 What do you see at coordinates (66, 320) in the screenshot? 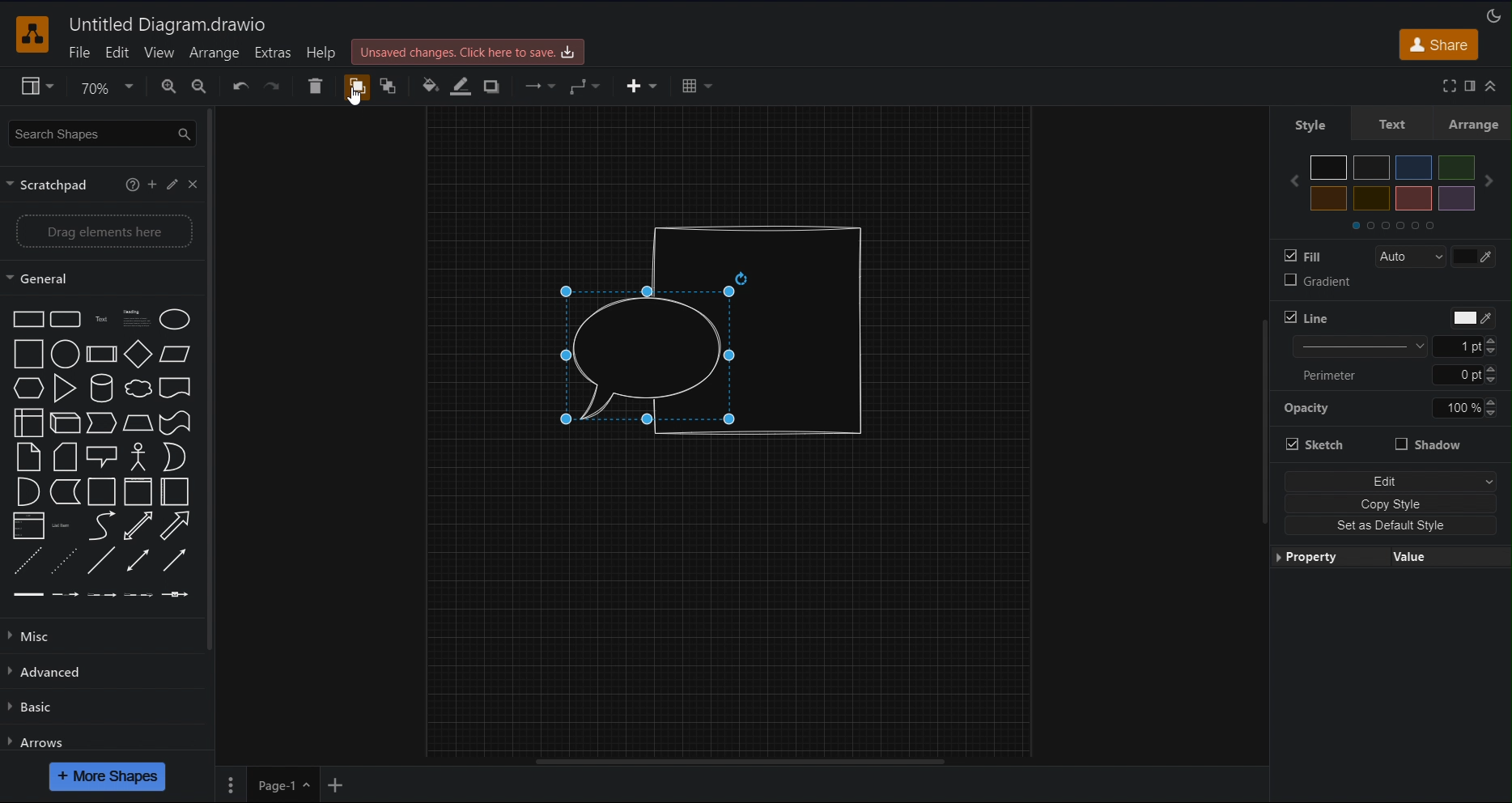
I see `Rounded rectangle` at bounding box center [66, 320].